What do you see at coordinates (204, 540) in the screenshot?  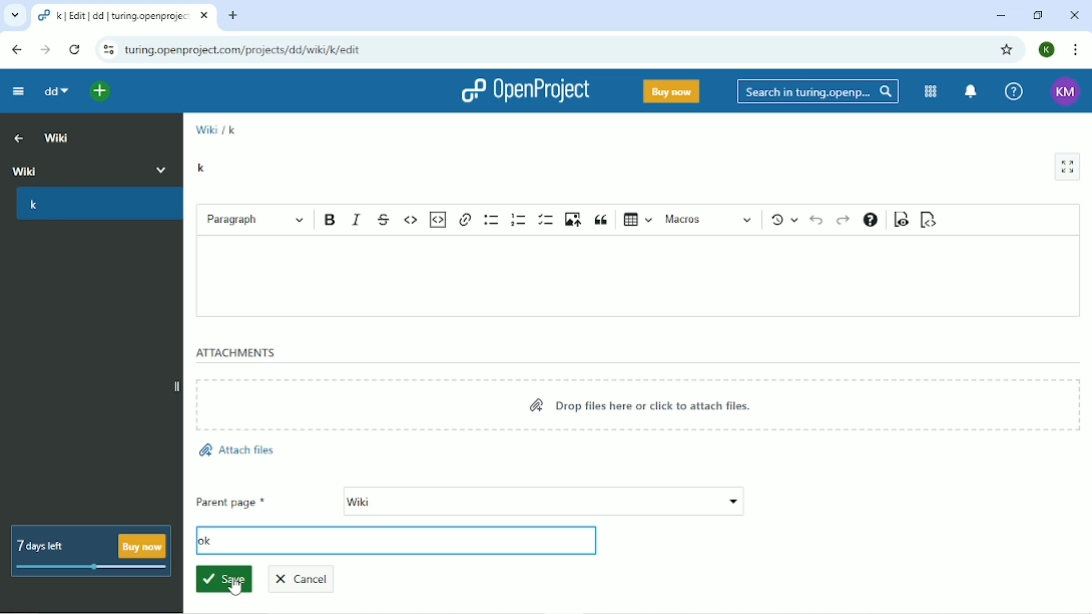 I see `ok` at bounding box center [204, 540].